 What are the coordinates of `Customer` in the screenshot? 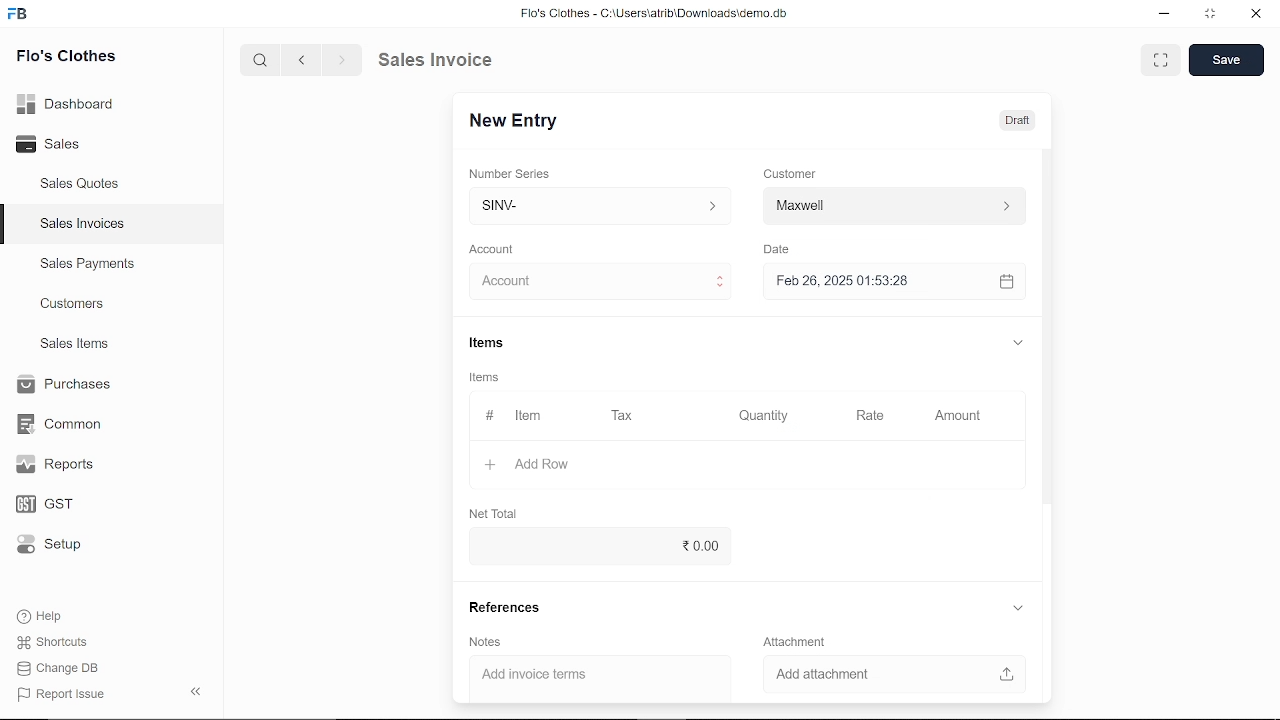 It's located at (894, 205).